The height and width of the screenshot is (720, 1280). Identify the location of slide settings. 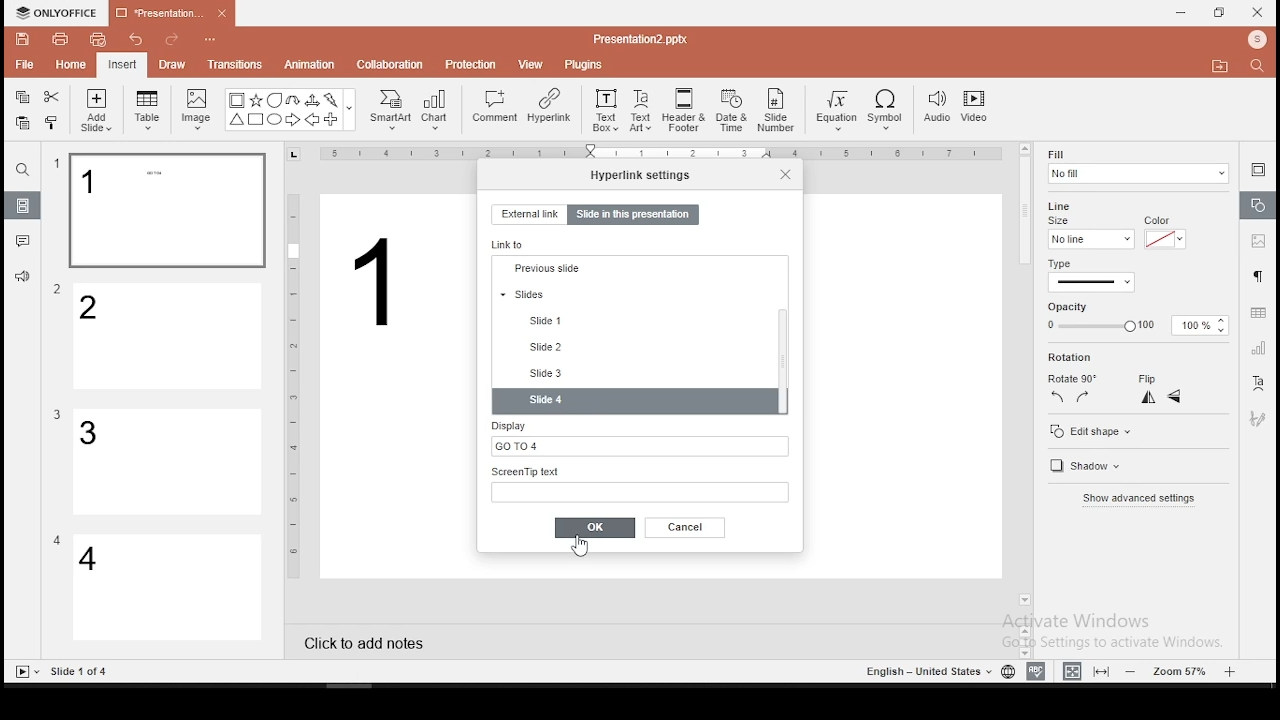
(1258, 169).